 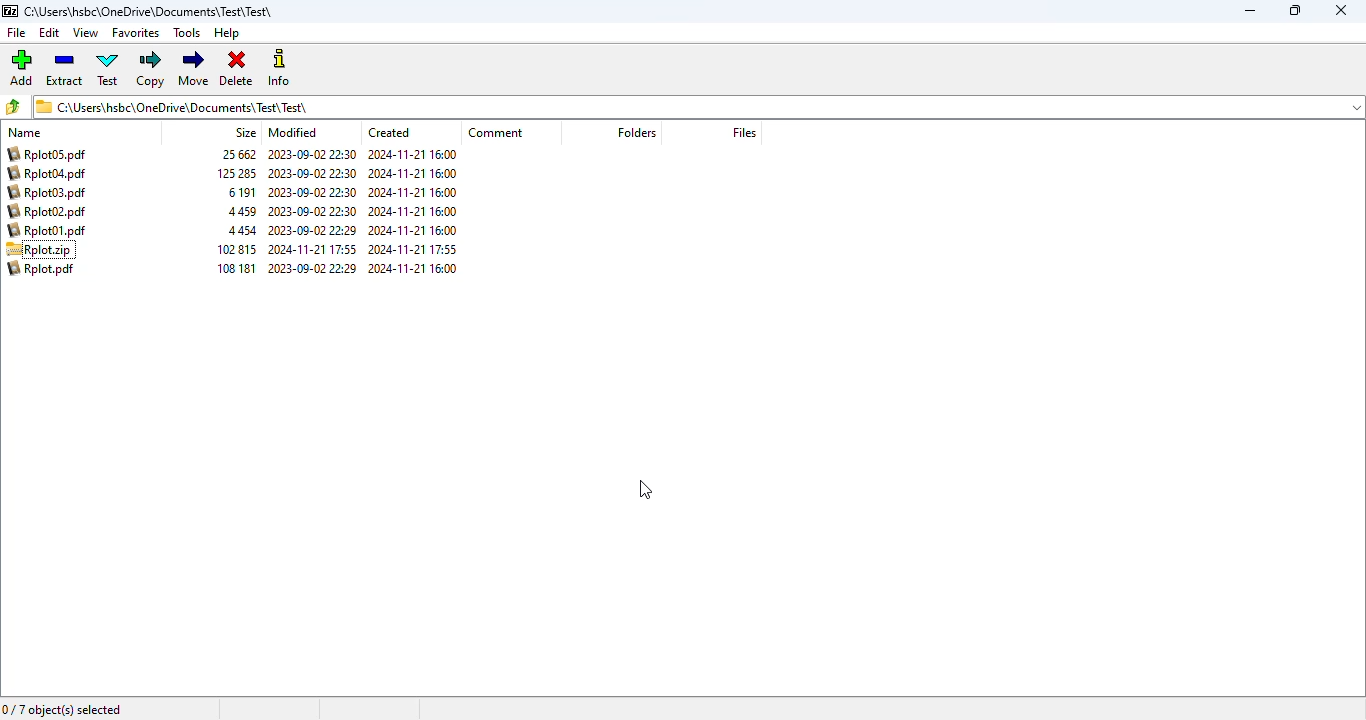 What do you see at coordinates (236, 69) in the screenshot?
I see `delete` at bounding box center [236, 69].